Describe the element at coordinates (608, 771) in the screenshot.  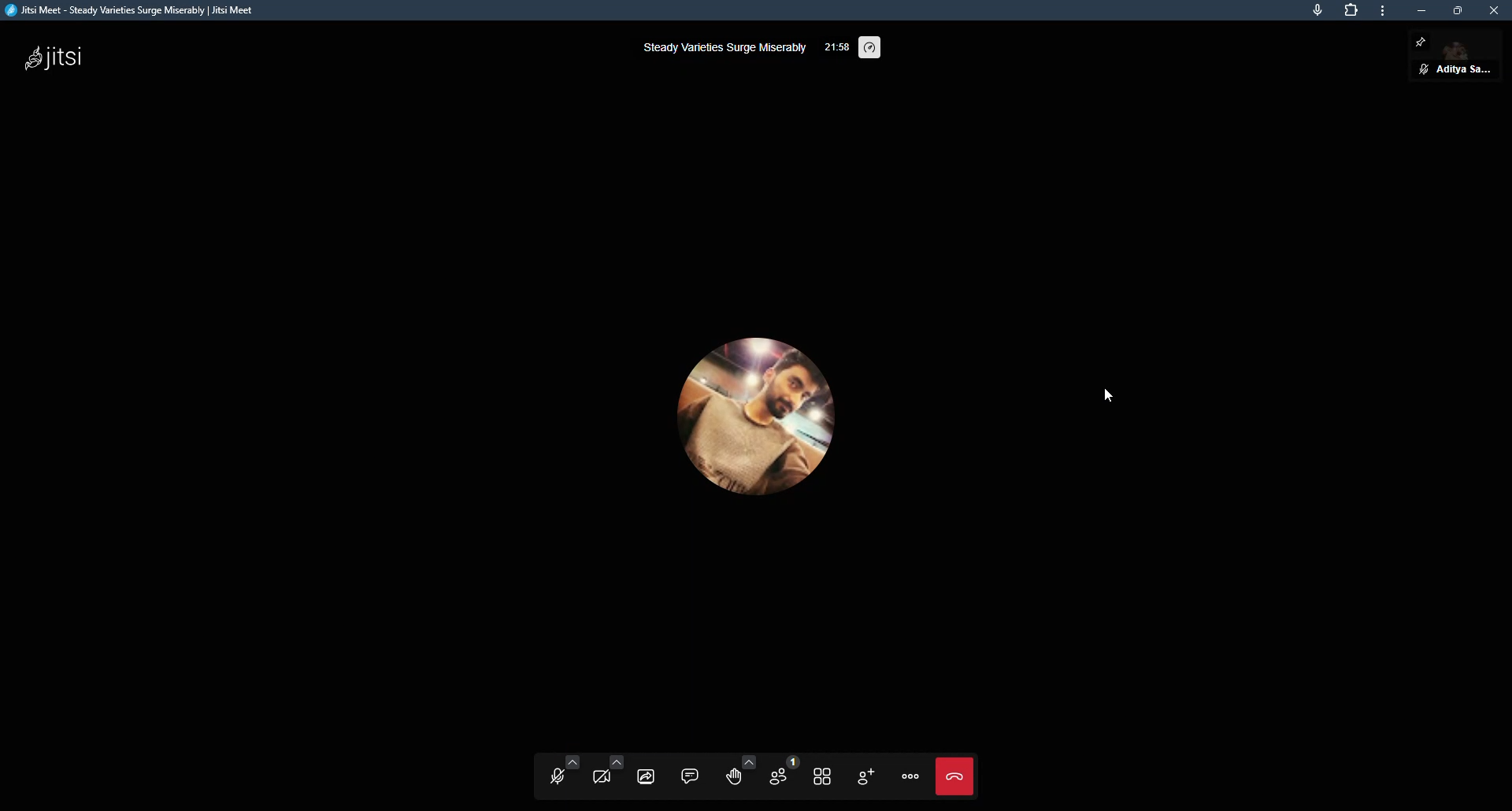
I see `start video` at that location.